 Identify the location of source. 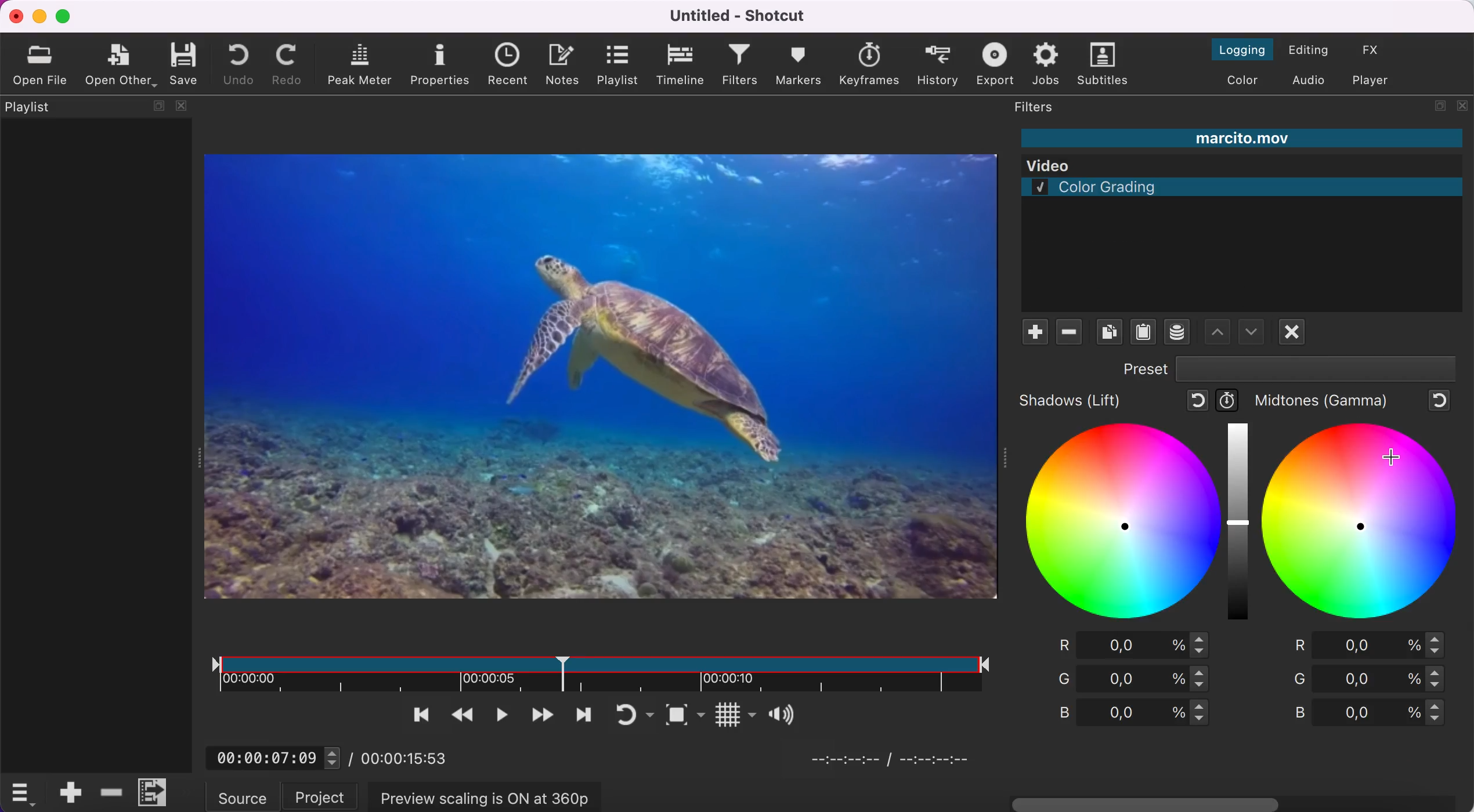
(243, 796).